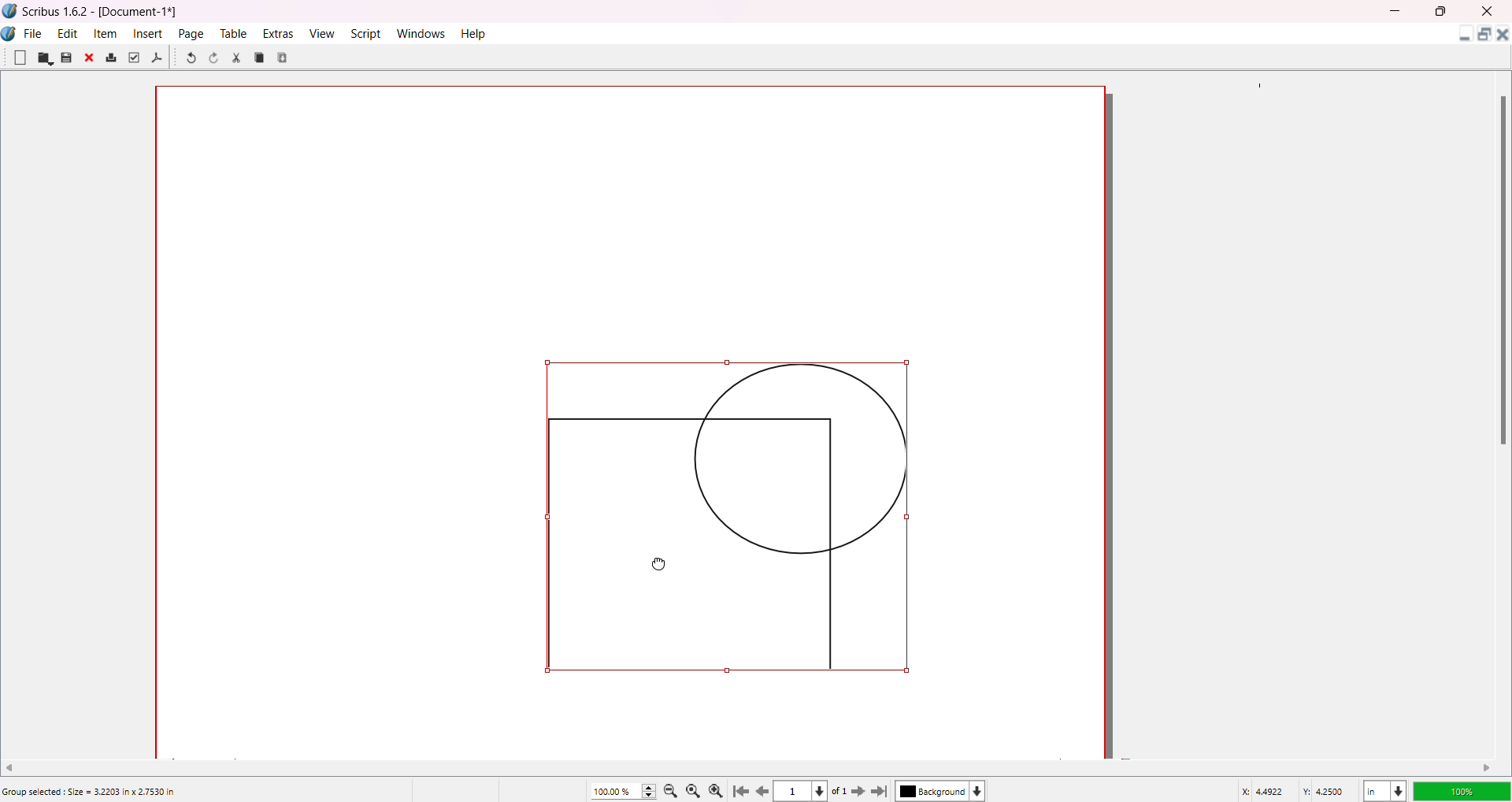 The height and width of the screenshot is (802, 1512). I want to click on Preflight Verifier, so click(133, 58).